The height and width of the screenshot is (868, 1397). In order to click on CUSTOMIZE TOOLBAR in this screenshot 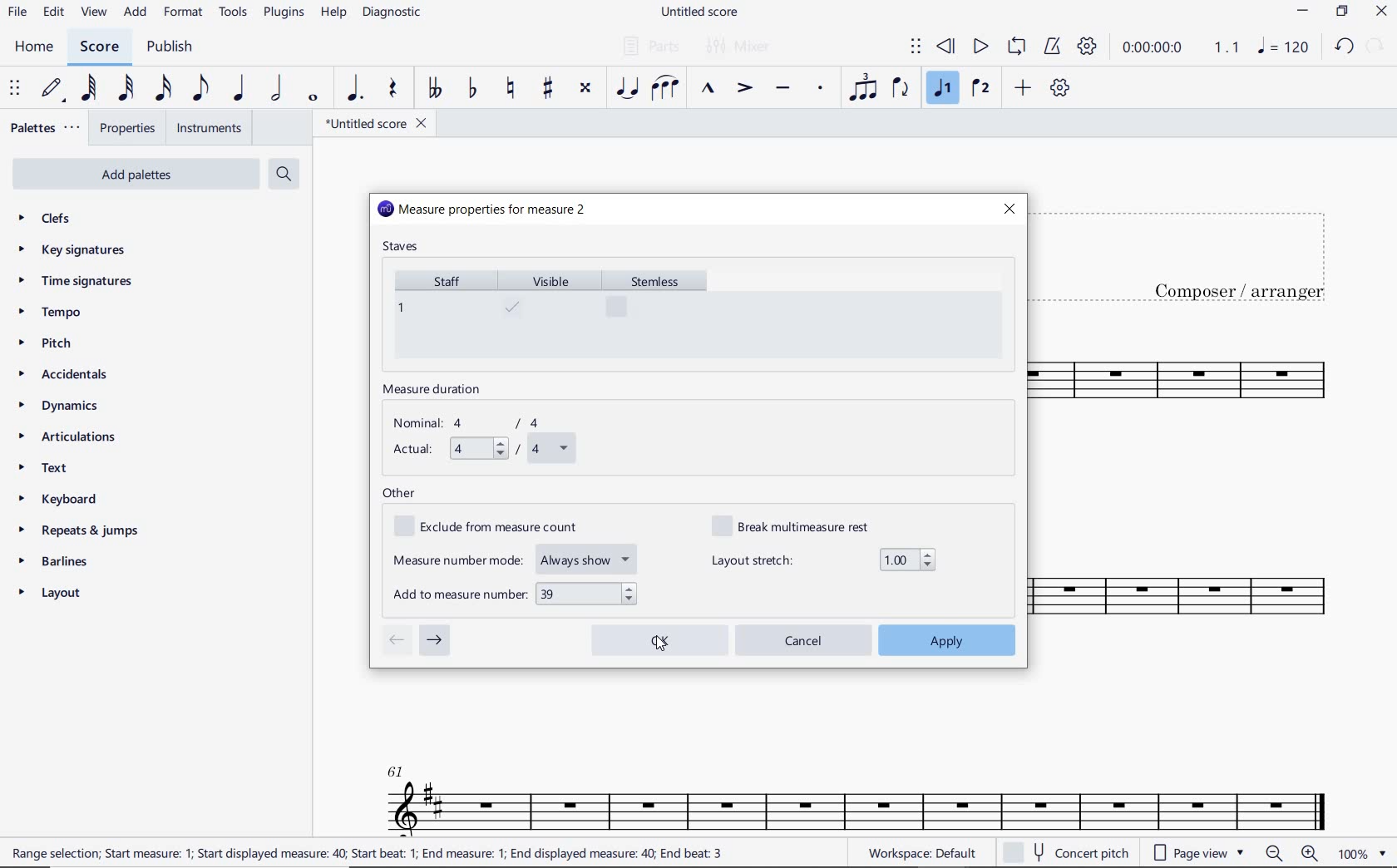, I will do `click(1060, 88)`.